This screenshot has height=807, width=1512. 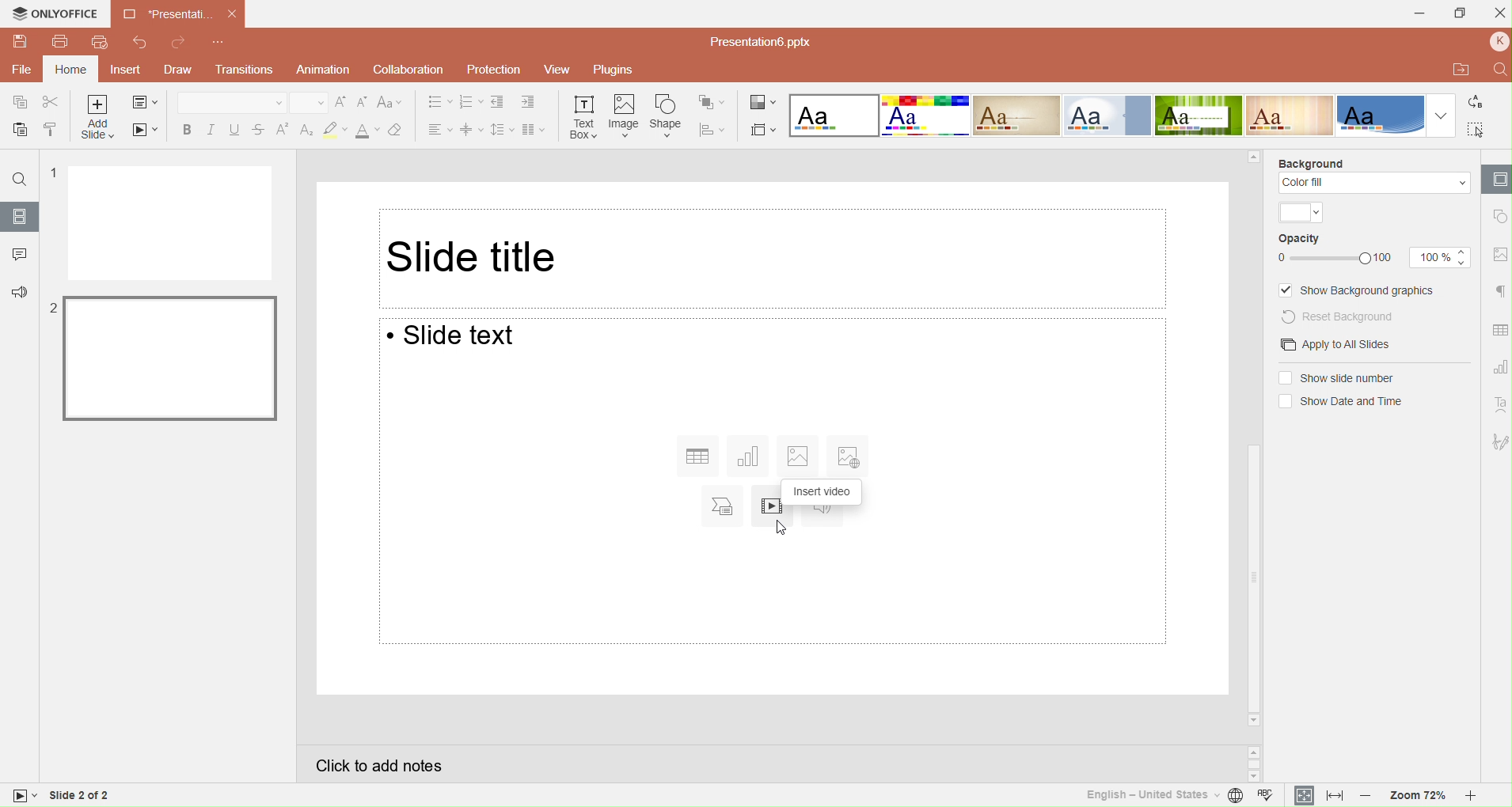 I want to click on Open file location, so click(x=1461, y=70).